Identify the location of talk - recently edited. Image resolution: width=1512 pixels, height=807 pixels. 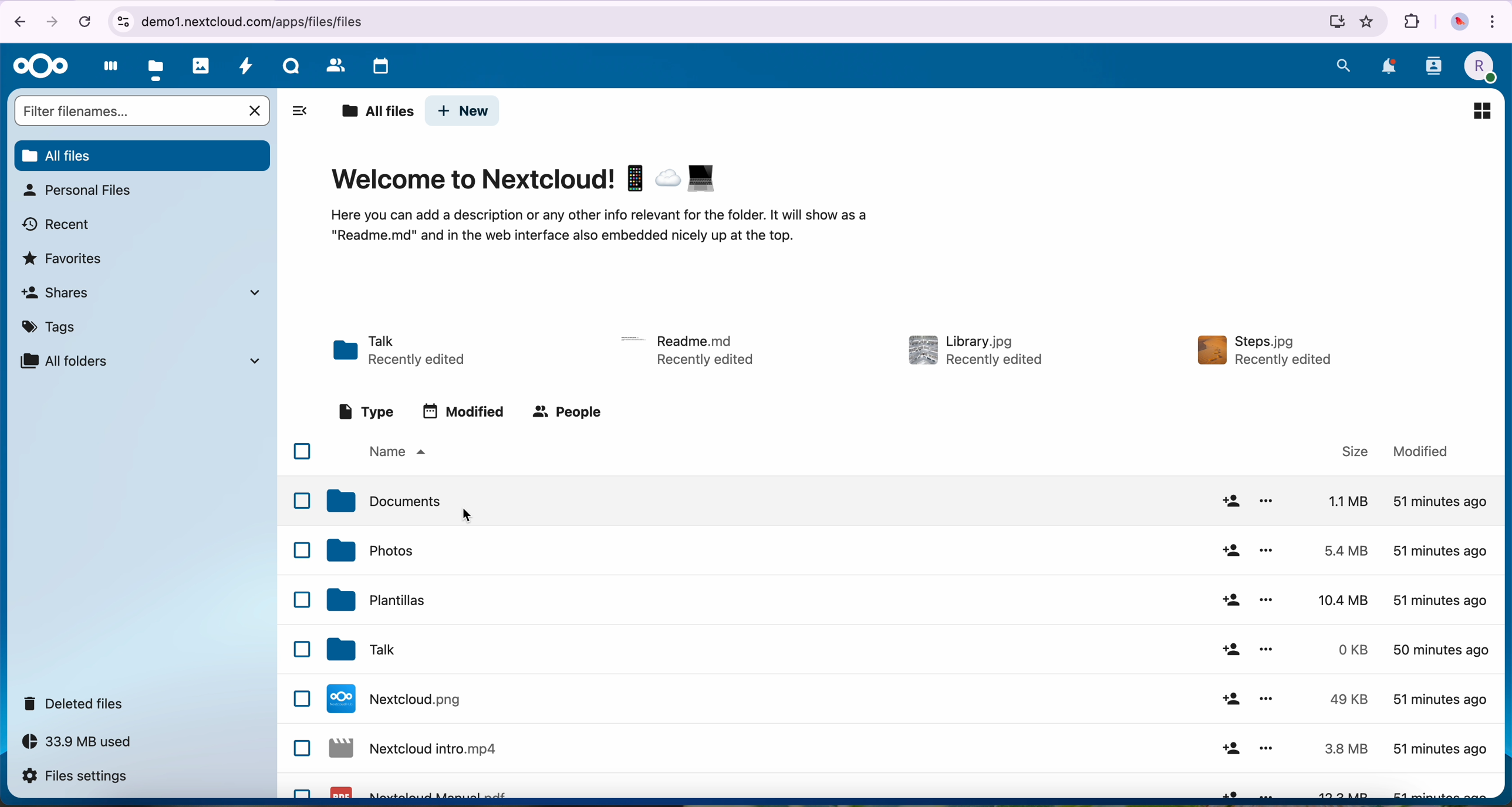
(398, 348).